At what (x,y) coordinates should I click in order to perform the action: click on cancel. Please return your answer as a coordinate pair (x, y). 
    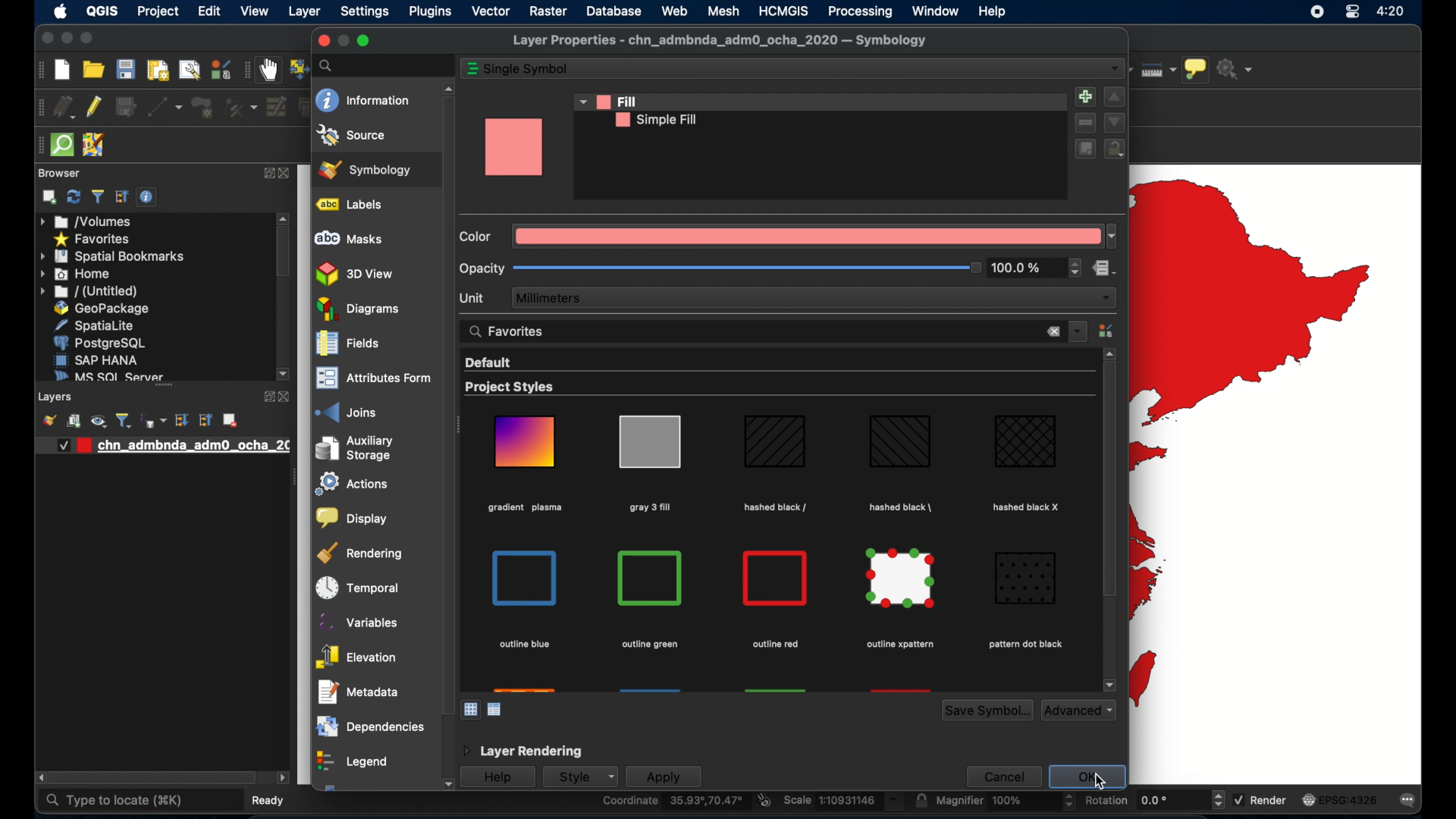
    Looking at the image, I should click on (1002, 776).